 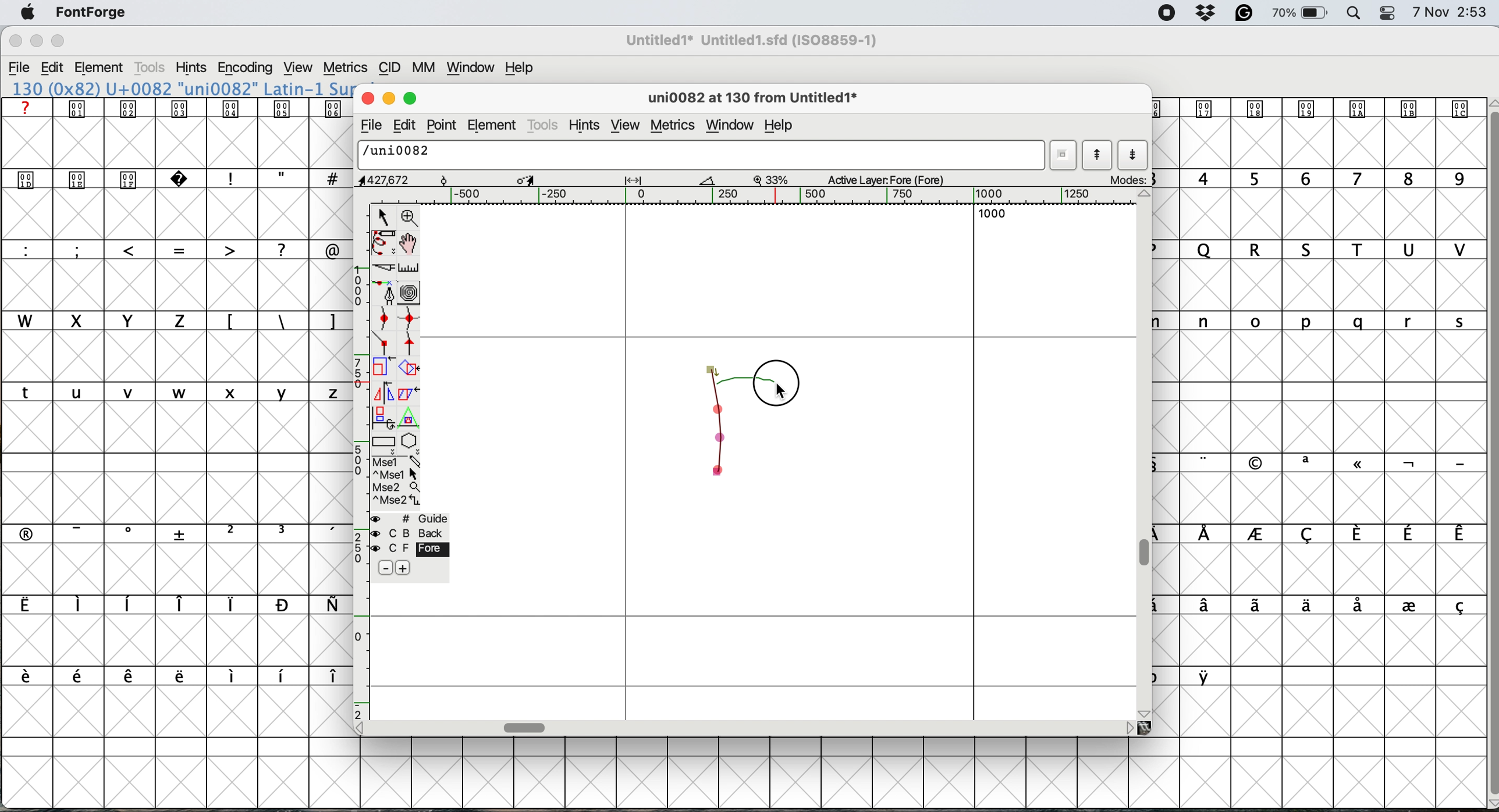 I want to click on special characters, so click(x=169, y=533).